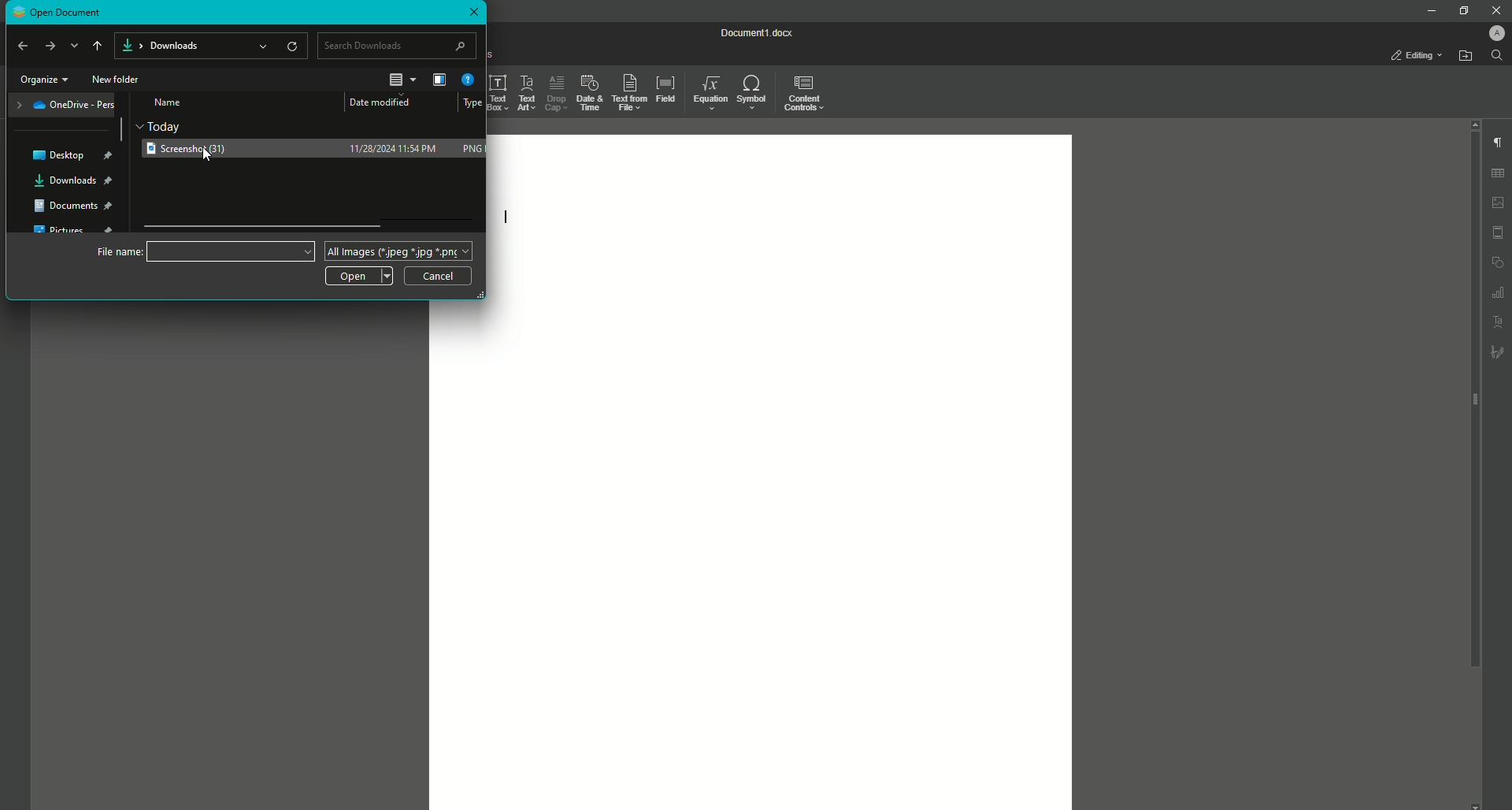 The image size is (1512, 810). What do you see at coordinates (212, 46) in the screenshot?
I see `File Path` at bounding box center [212, 46].